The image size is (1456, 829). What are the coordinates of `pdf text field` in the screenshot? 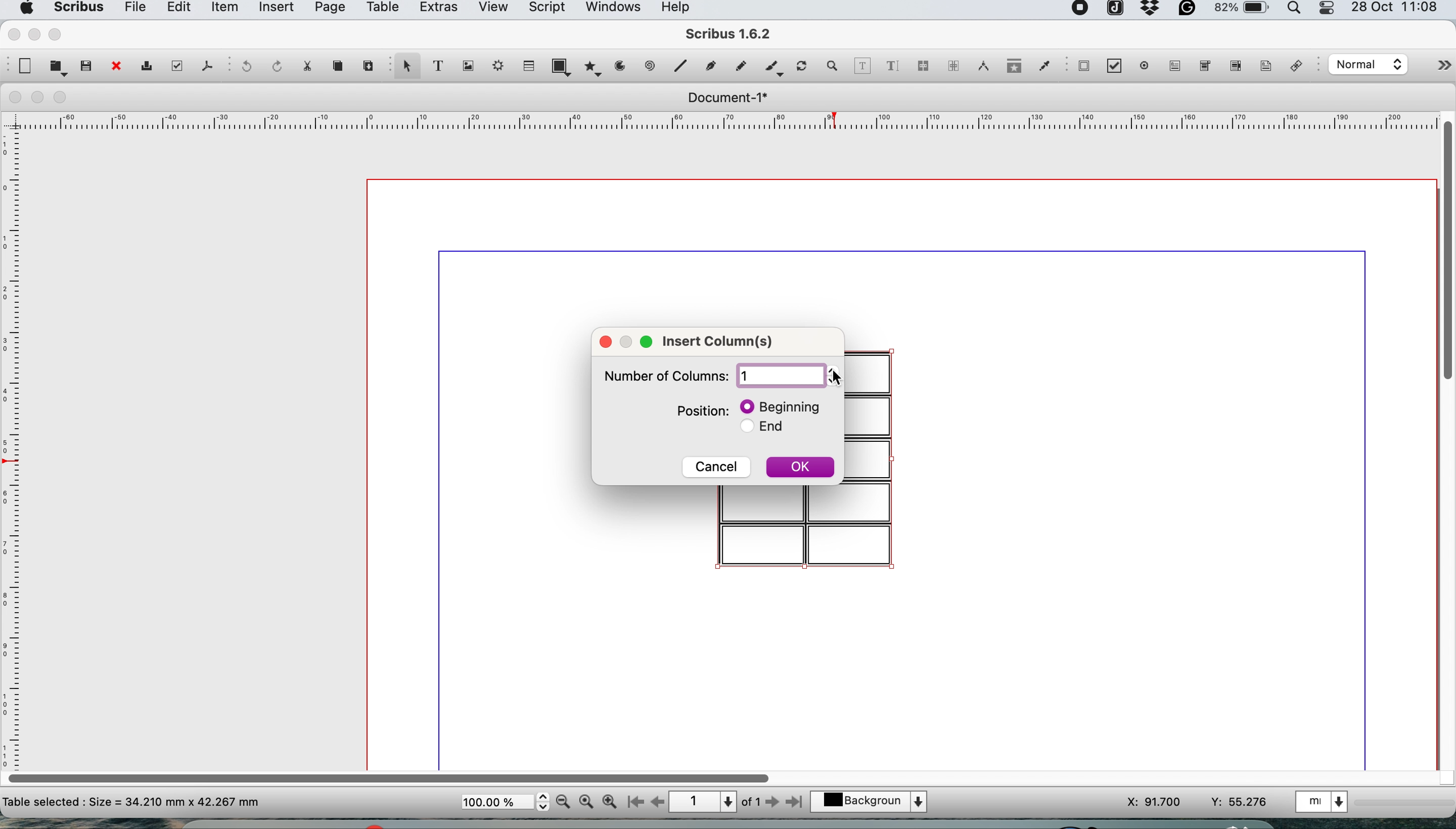 It's located at (1172, 66).